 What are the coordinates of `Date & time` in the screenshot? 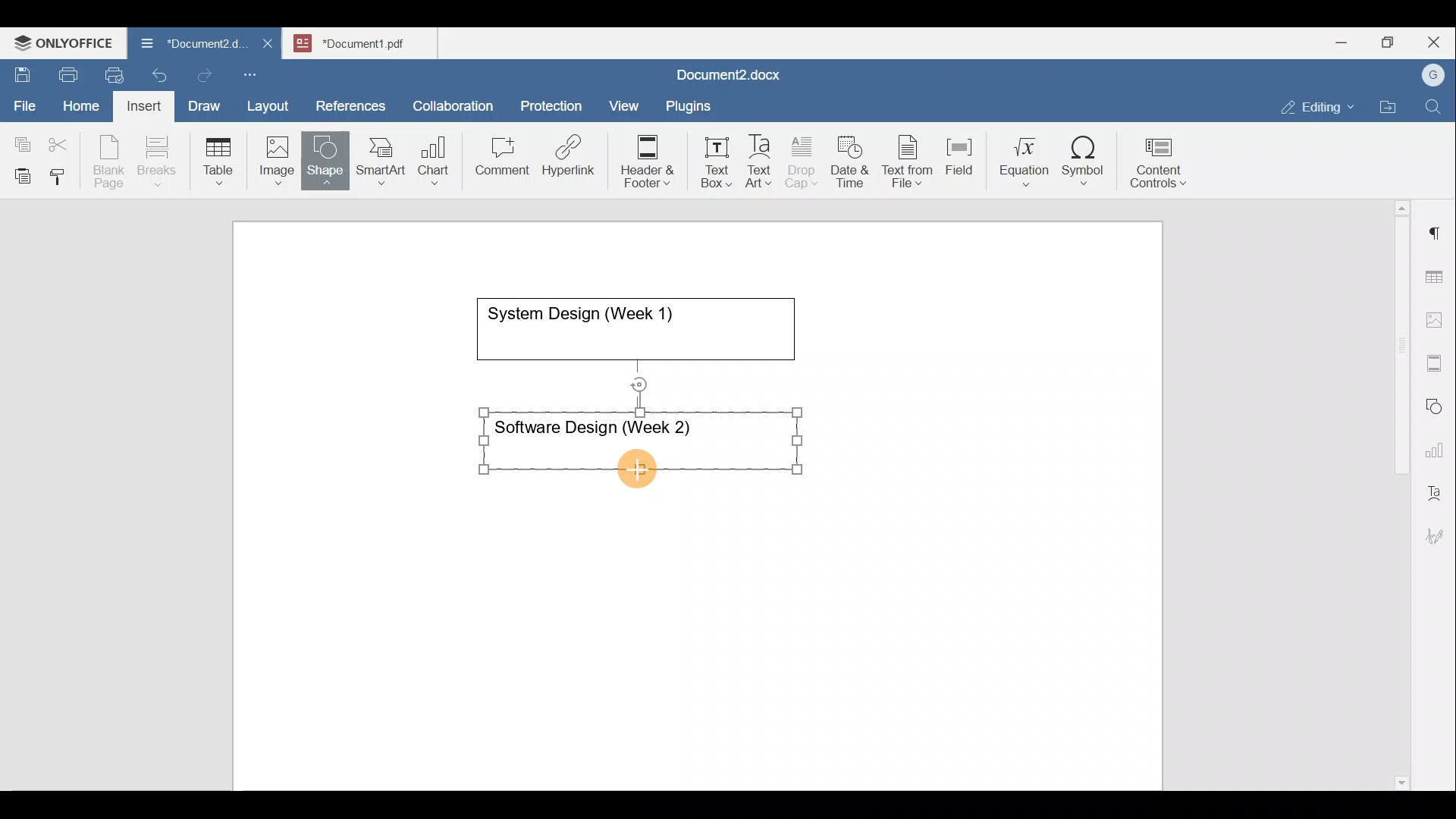 It's located at (851, 159).